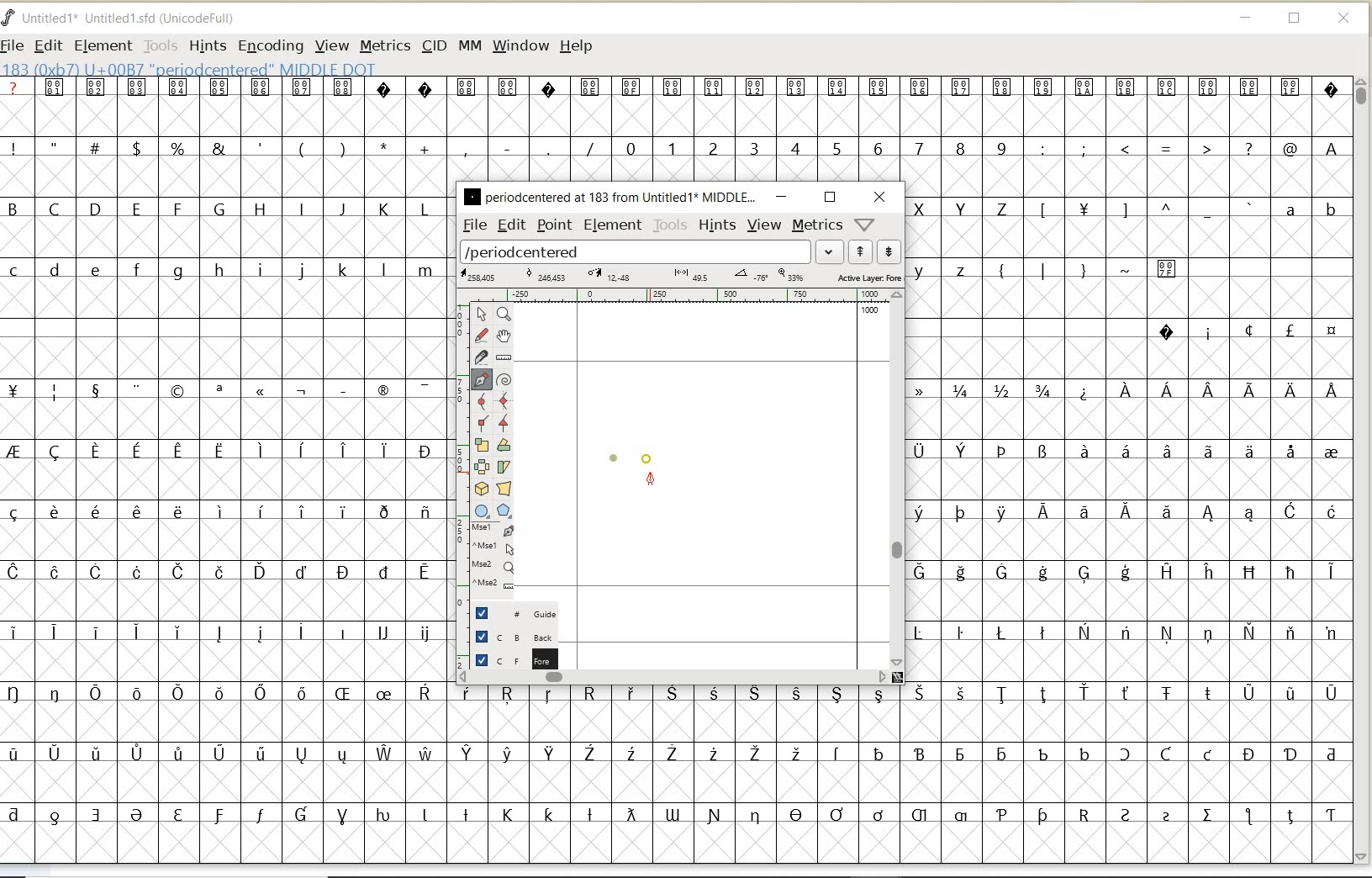  I want to click on glyph name, so click(609, 196).